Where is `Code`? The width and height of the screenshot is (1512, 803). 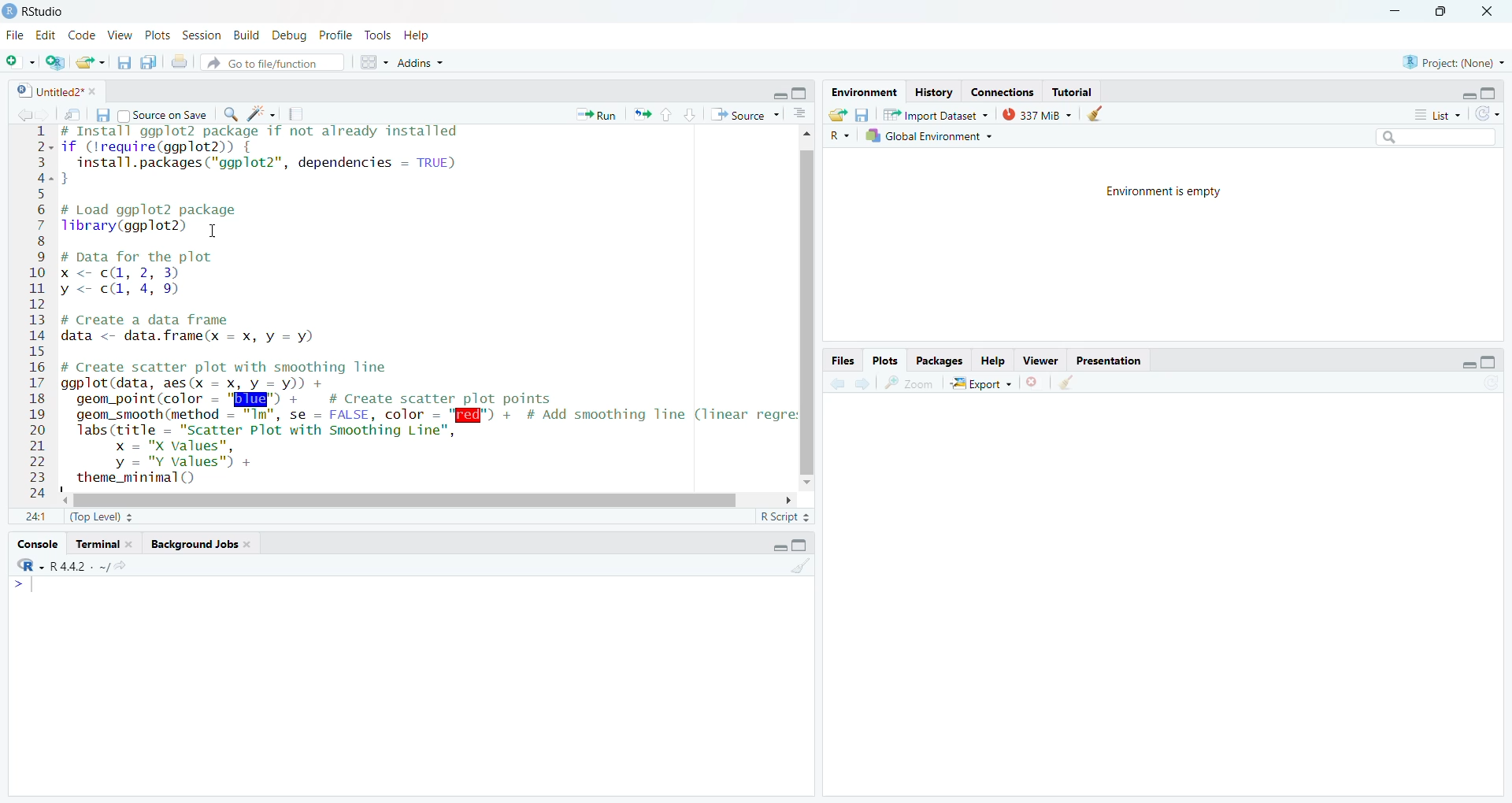
Code is located at coordinates (83, 35).